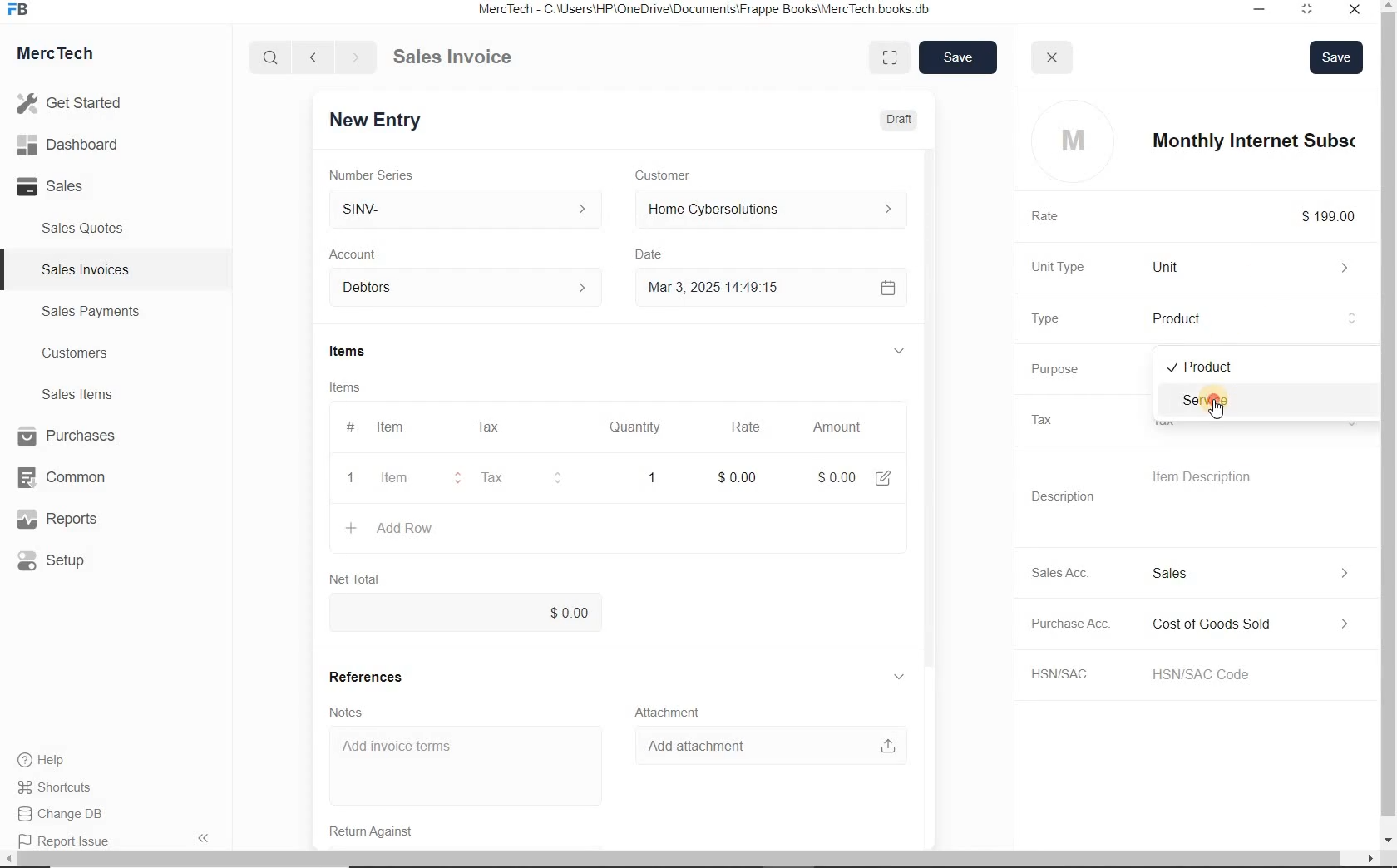  Describe the element at coordinates (86, 228) in the screenshot. I see `Sales Quotes` at that location.